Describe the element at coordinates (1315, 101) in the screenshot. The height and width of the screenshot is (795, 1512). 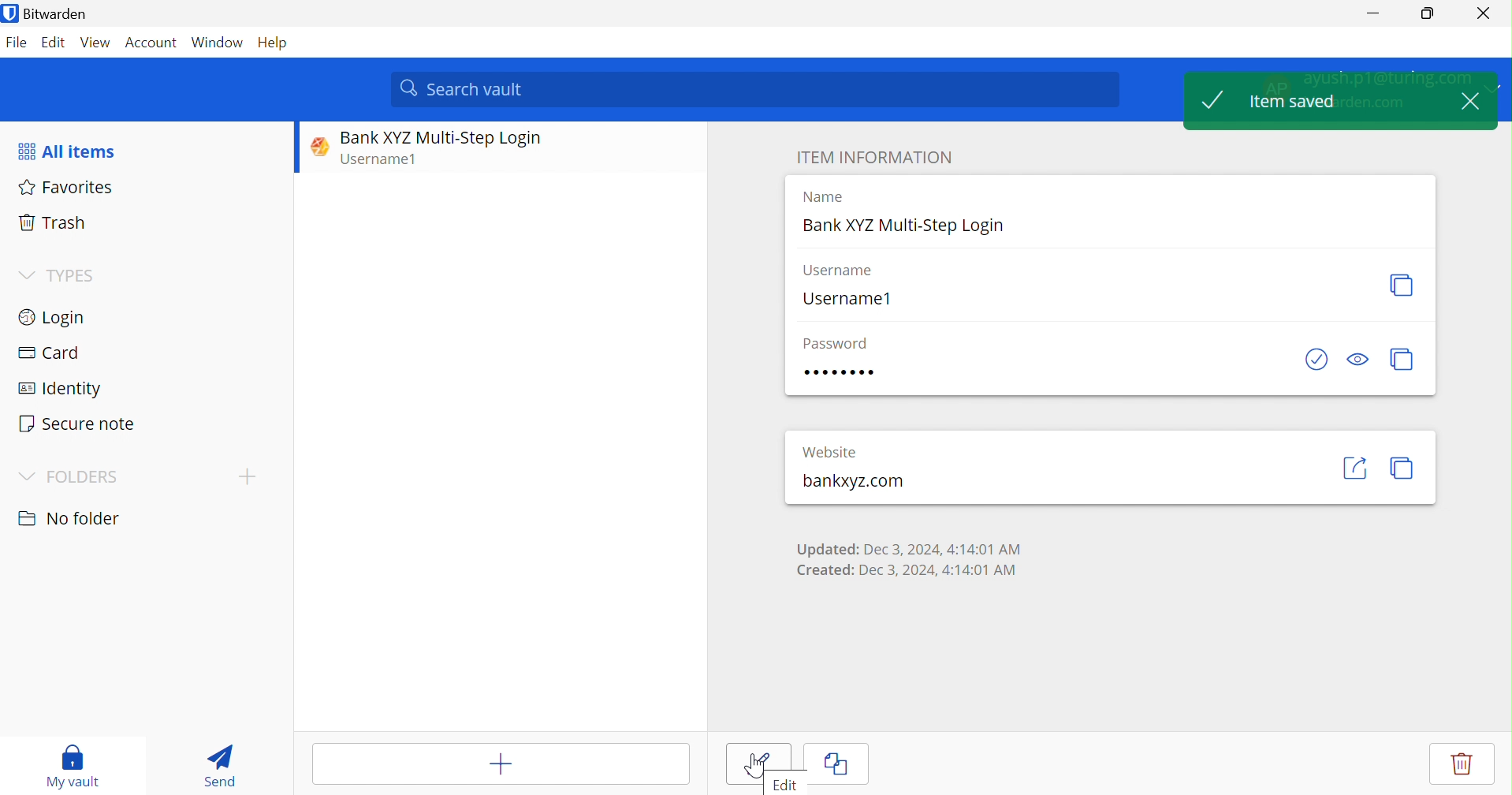
I see `Item saved` at that location.